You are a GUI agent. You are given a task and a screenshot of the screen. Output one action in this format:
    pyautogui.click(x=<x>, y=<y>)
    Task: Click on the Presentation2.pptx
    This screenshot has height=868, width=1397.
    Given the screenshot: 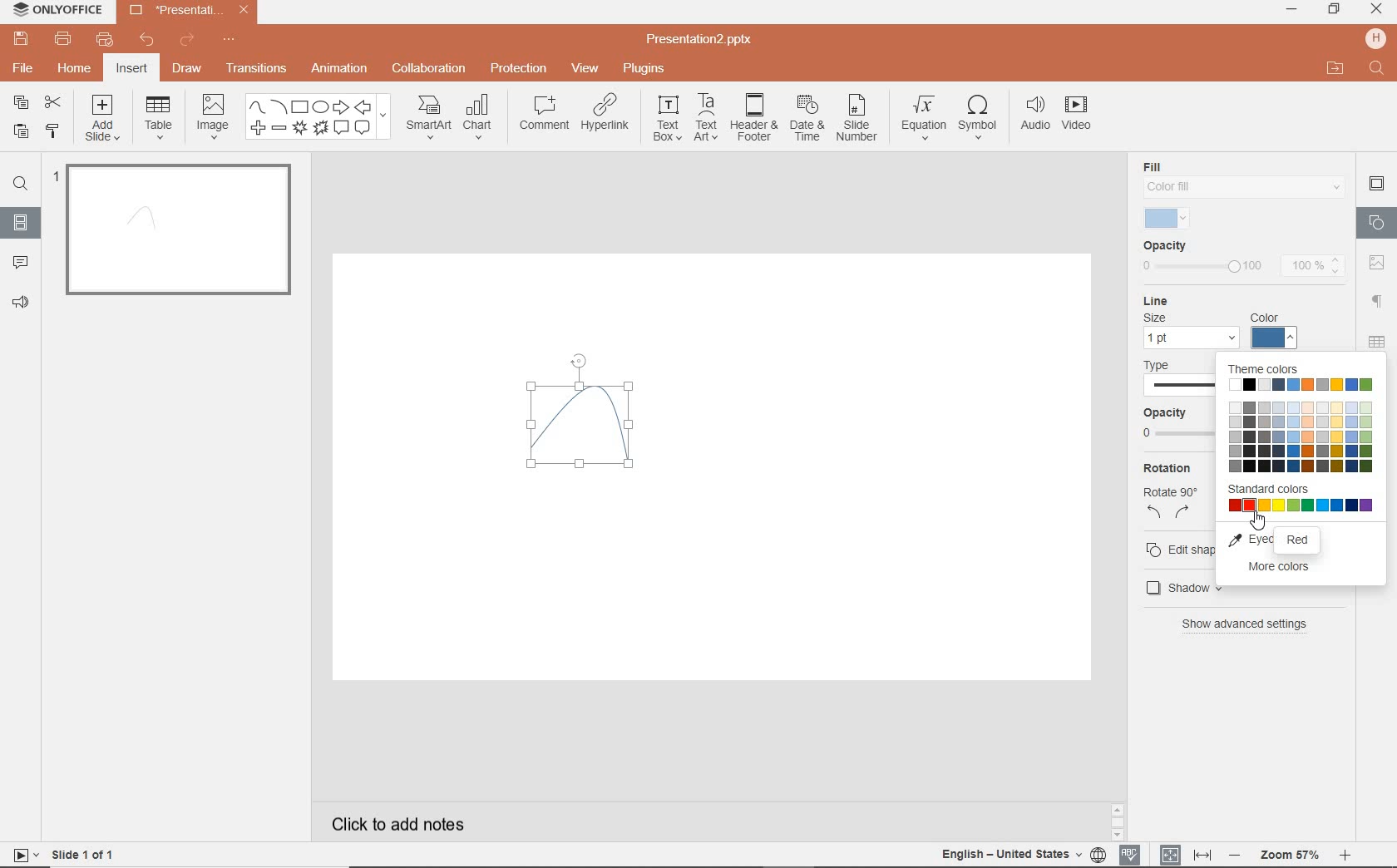 What is the action you would take?
    pyautogui.click(x=189, y=13)
    